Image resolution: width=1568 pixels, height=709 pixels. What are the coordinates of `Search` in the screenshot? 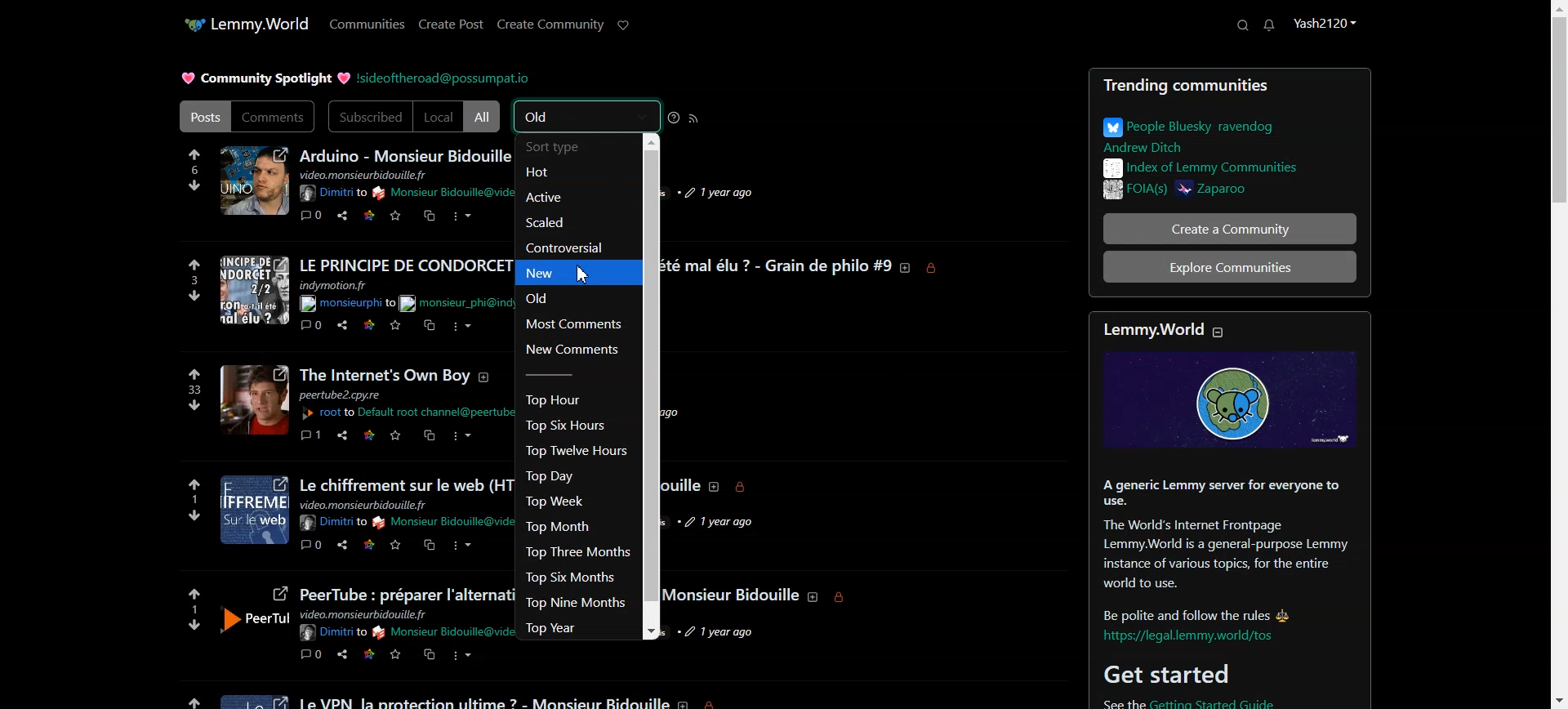 It's located at (1243, 25).